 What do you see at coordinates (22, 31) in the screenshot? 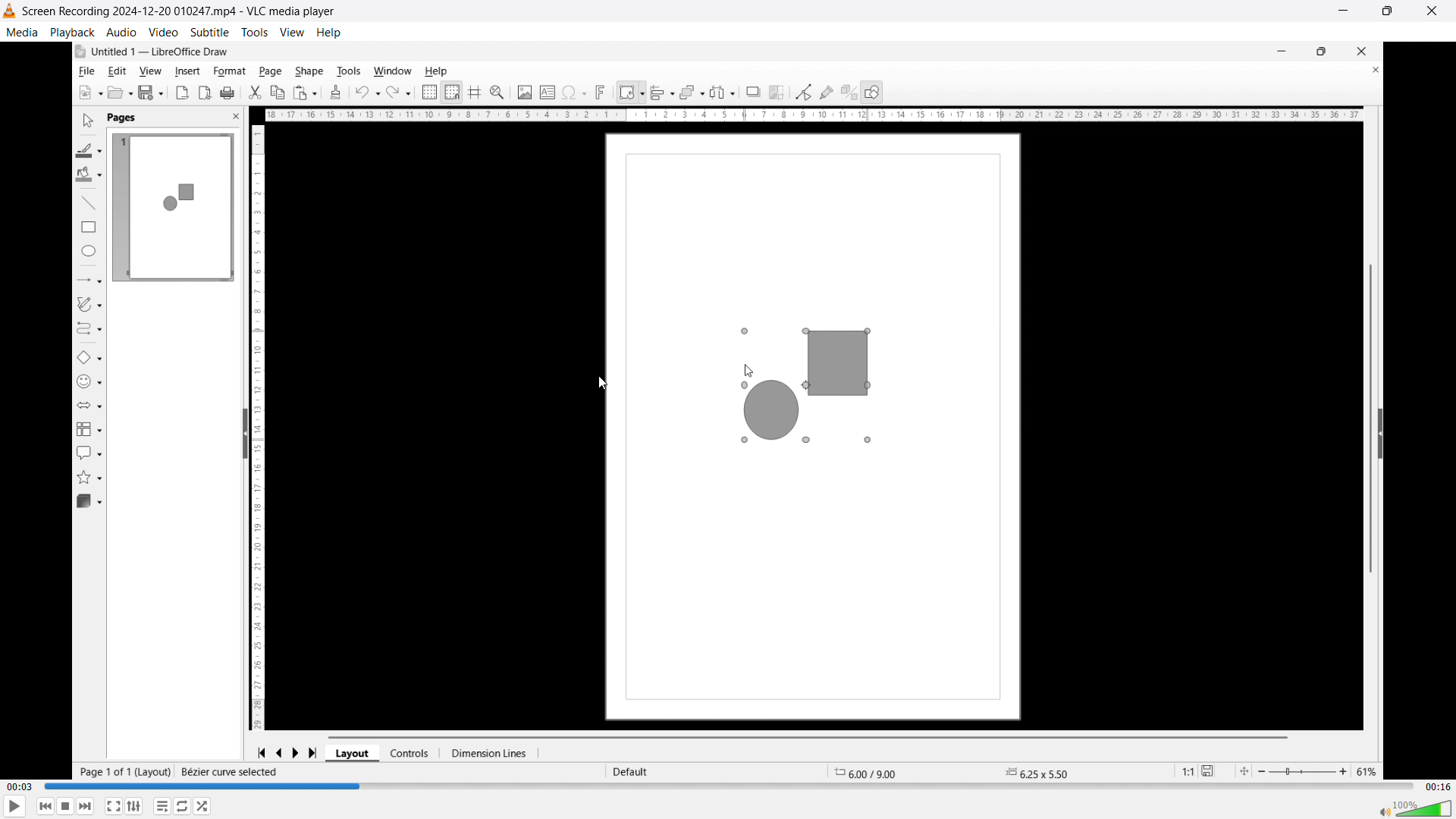
I see `media` at bounding box center [22, 31].